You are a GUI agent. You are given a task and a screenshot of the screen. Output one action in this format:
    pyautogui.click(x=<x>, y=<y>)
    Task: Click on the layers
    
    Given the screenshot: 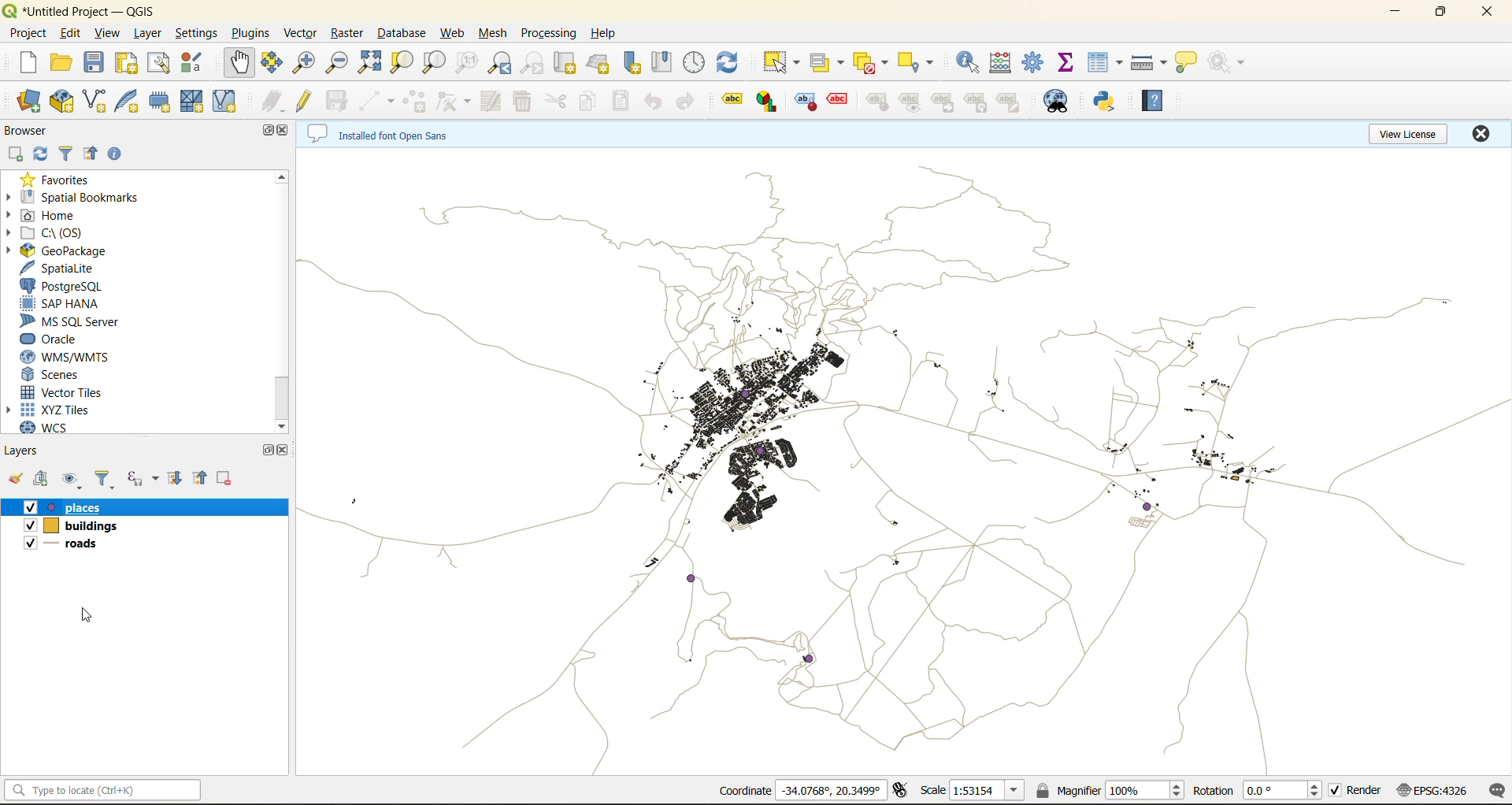 What is the action you would take?
    pyautogui.click(x=82, y=527)
    